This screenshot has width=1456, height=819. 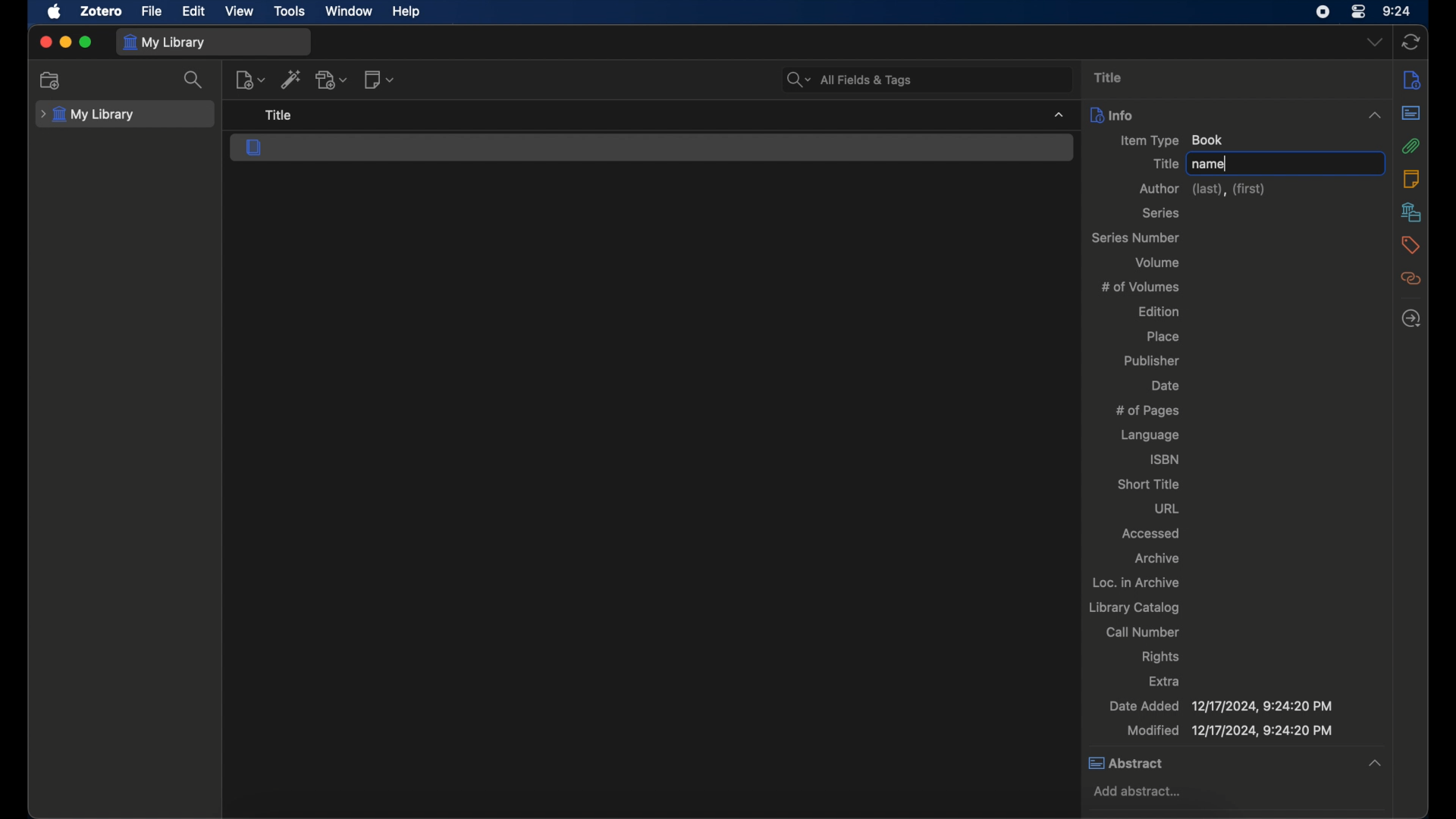 What do you see at coordinates (1151, 532) in the screenshot?
I see `accessed` at bounding box center [1151, 532].